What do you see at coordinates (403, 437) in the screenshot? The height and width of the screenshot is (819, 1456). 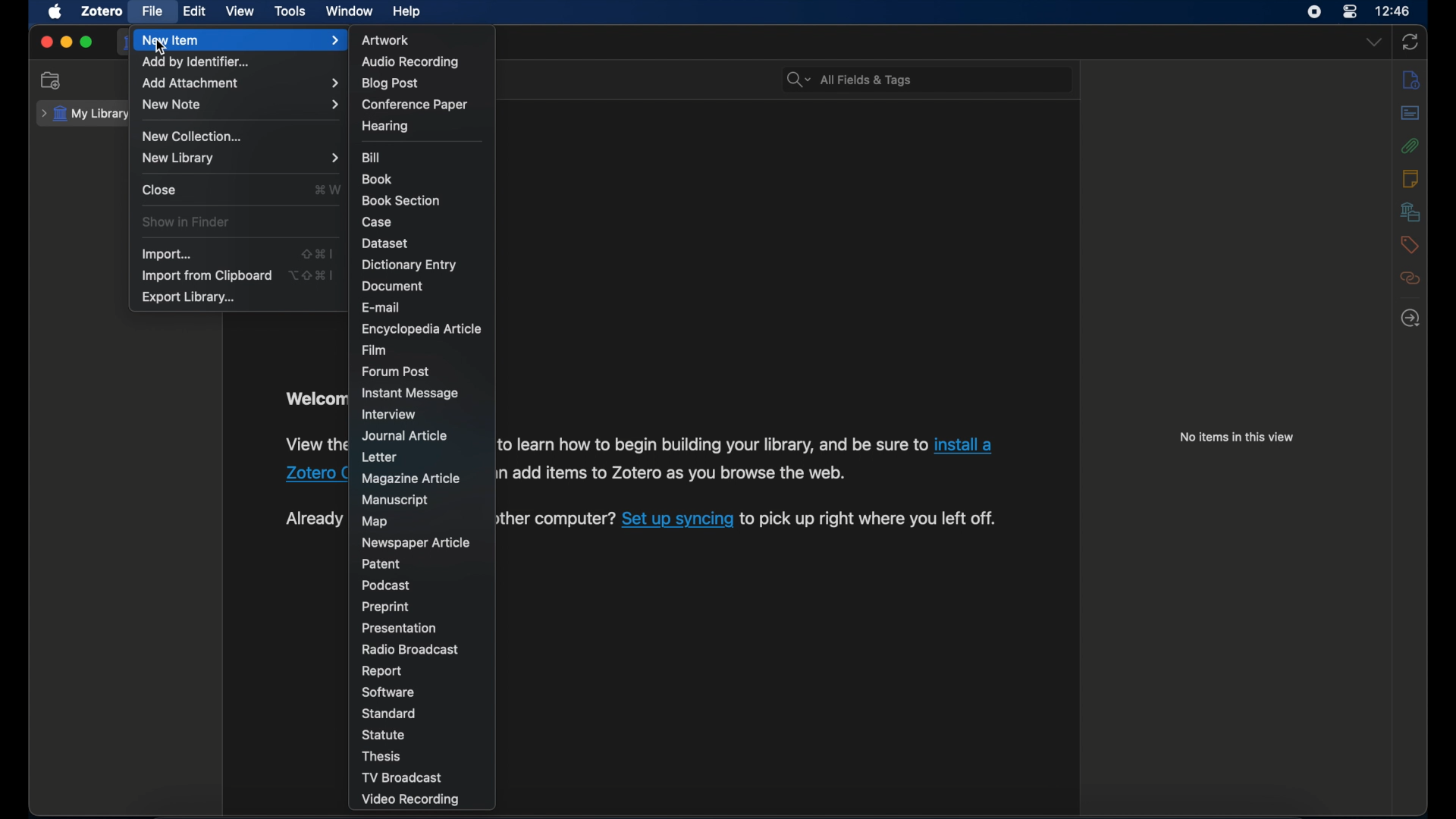 I see `journal article` at bounding box center [403, 437].